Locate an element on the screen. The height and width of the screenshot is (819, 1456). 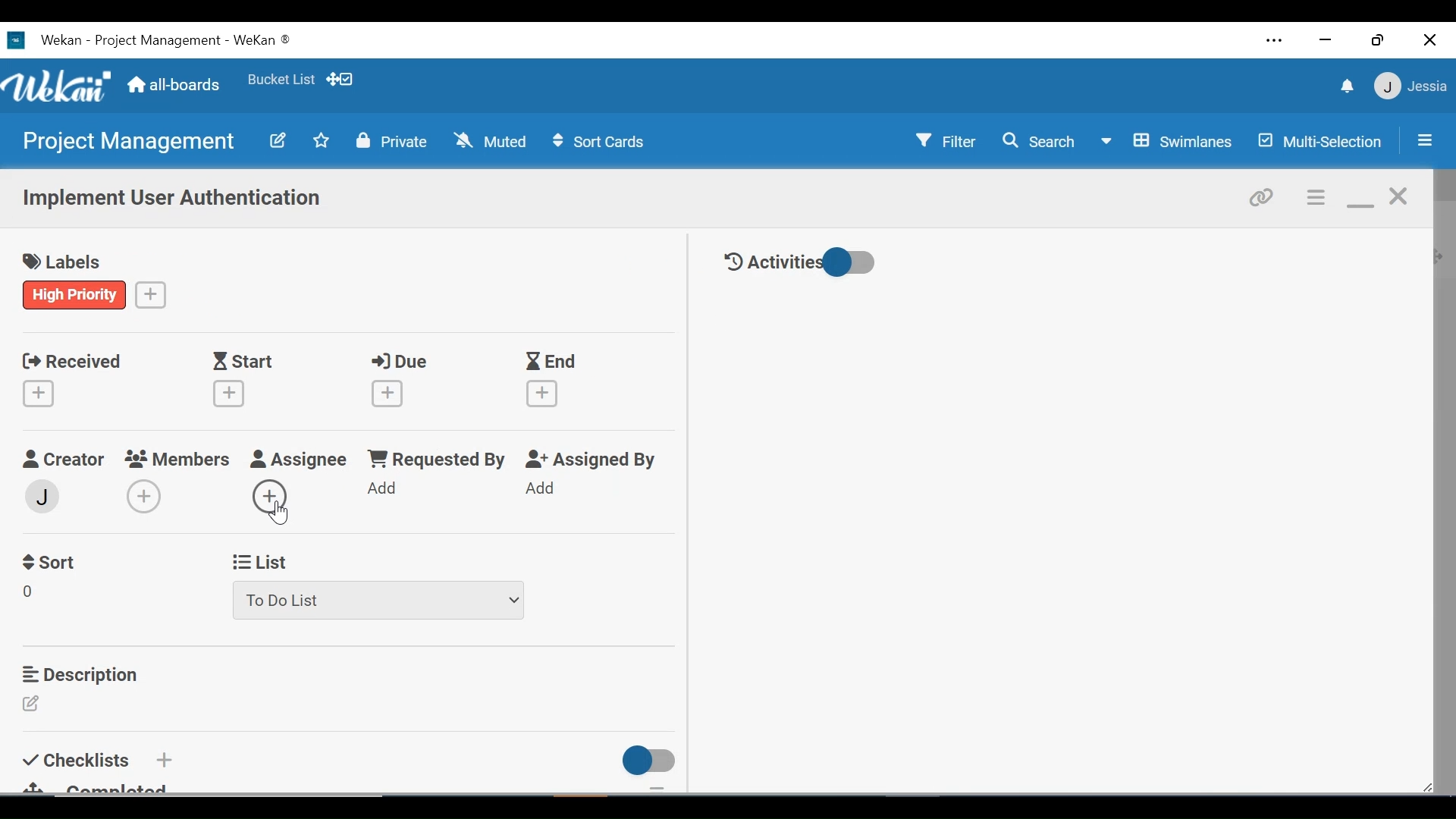
Private is located at coordinates (392, 140).